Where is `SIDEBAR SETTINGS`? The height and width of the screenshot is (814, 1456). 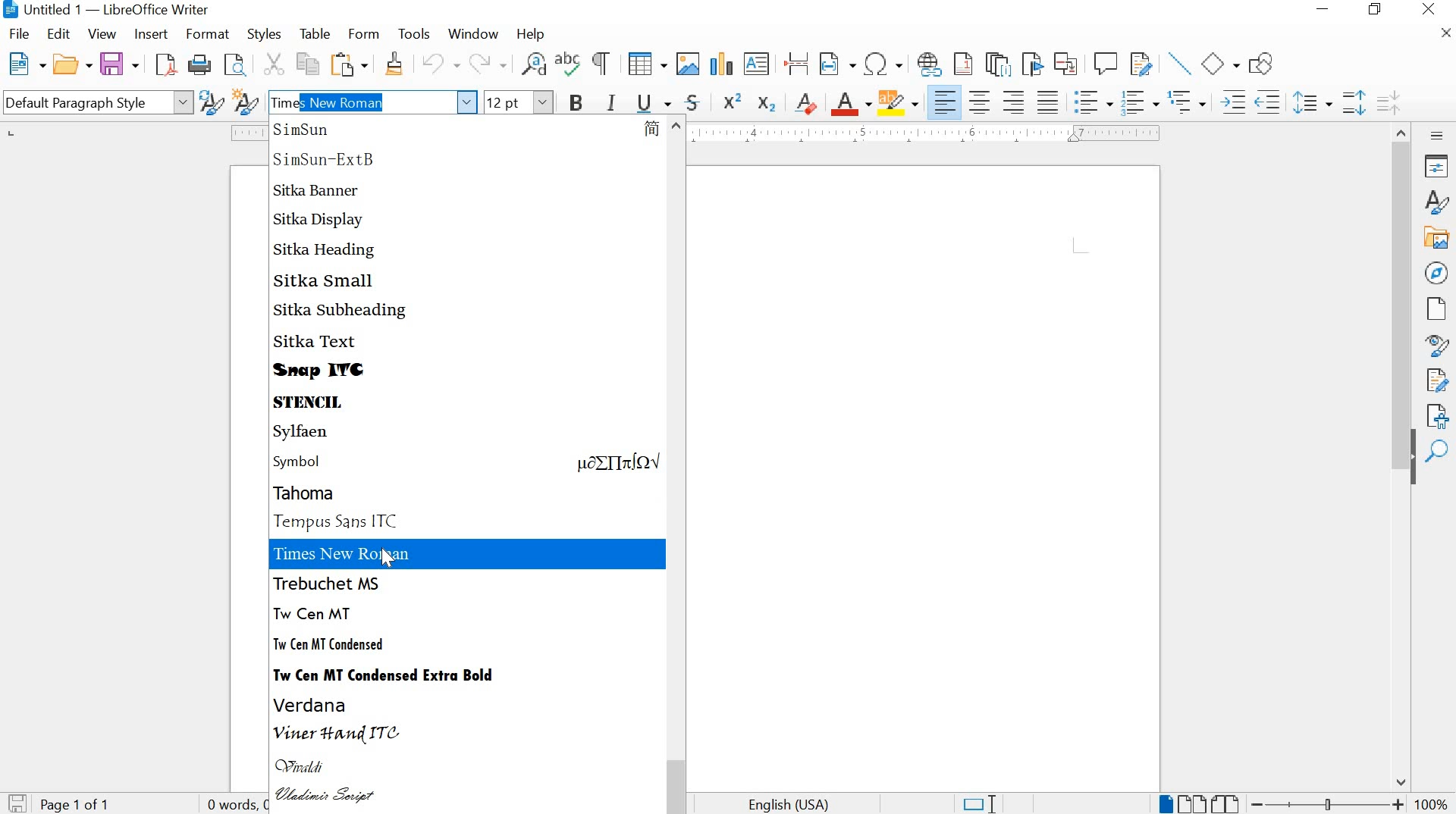 SIDEBAR SETTINGS is located at coordinates (1437, 136).